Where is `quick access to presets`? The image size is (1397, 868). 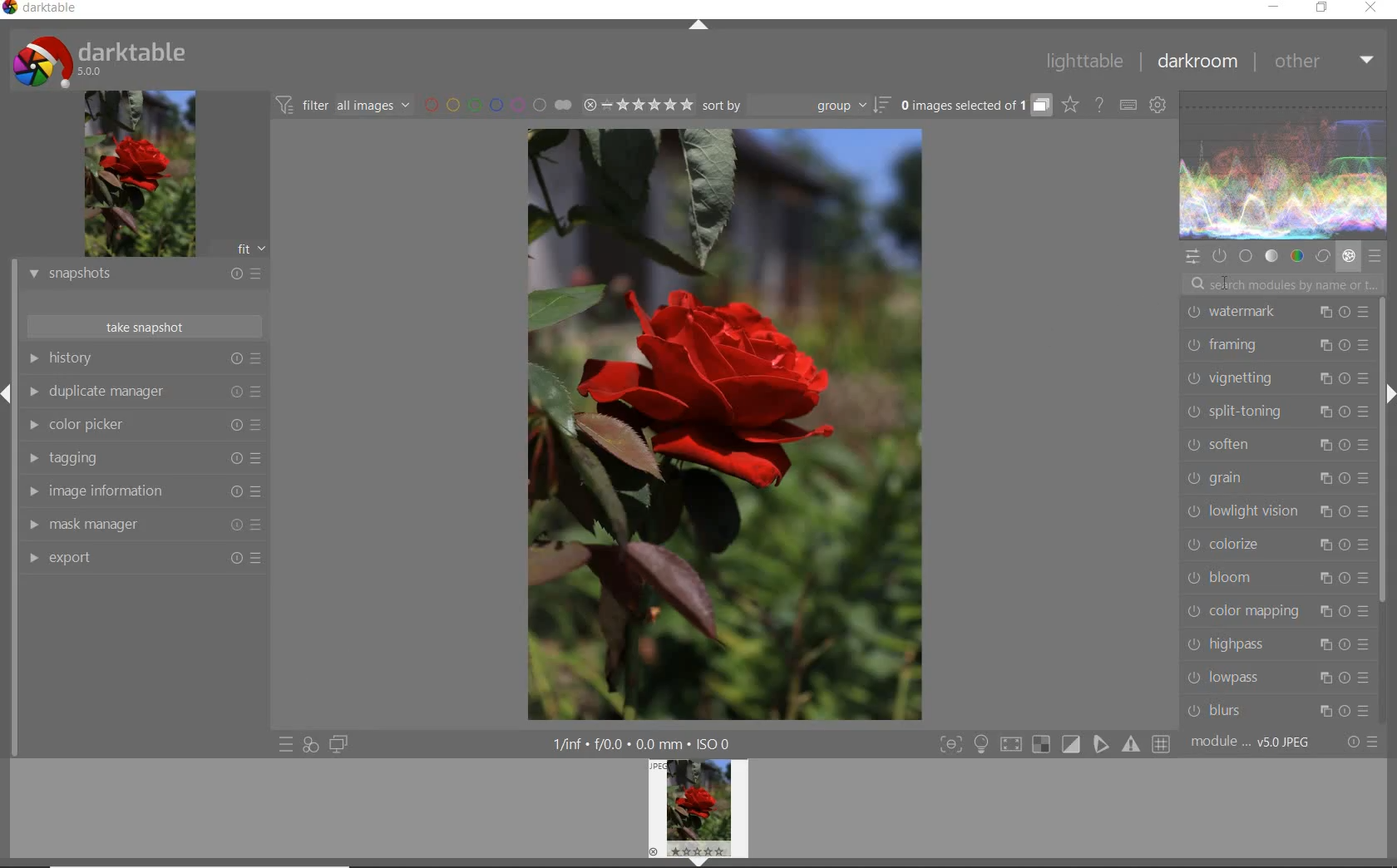
quick access to presets is located at coordinates (286, 745).